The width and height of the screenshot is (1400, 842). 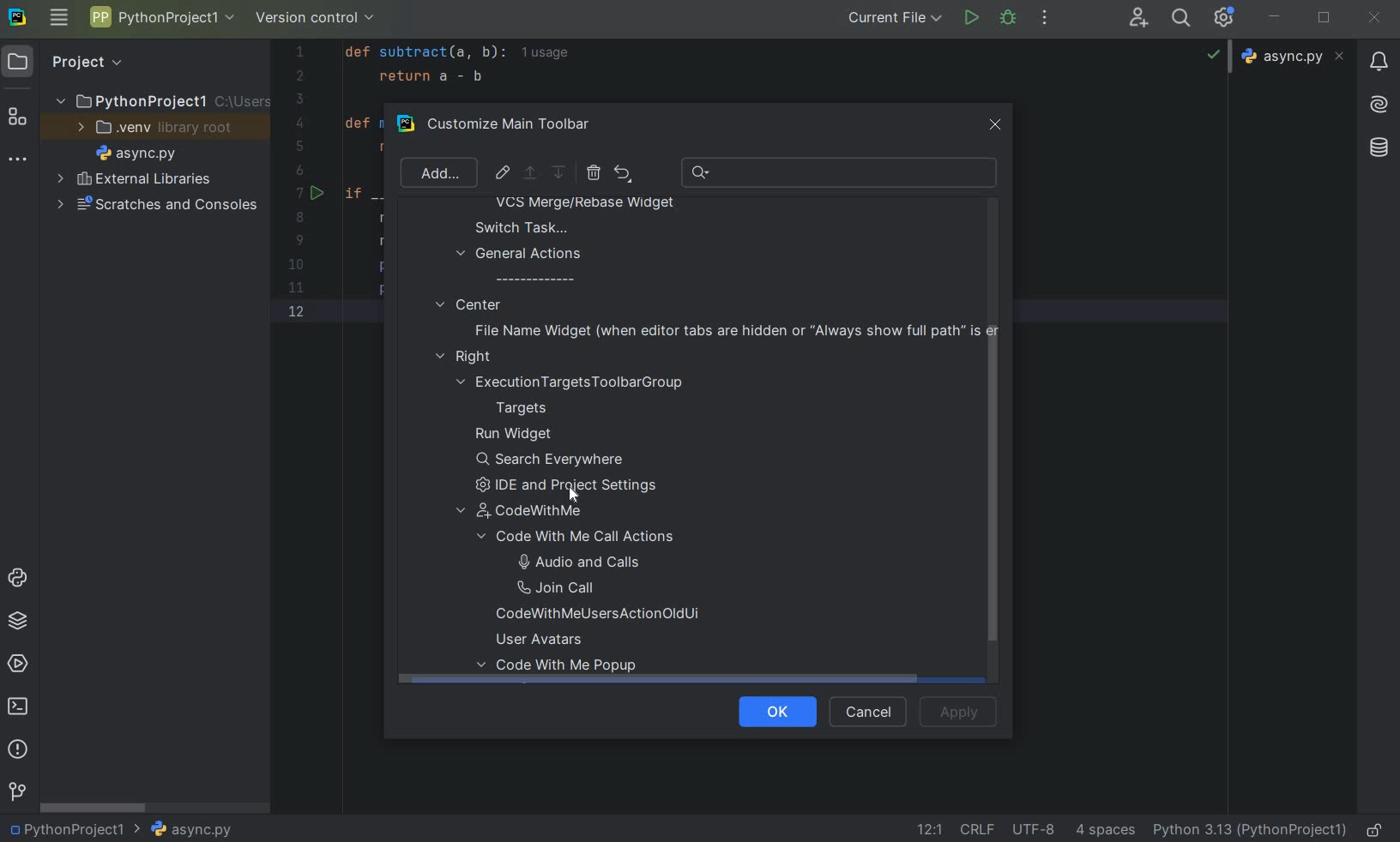 What do you see at coordinates (57, 19) in the screenshot?
I see `MAIN MENU` at bounding box center [57, 19].